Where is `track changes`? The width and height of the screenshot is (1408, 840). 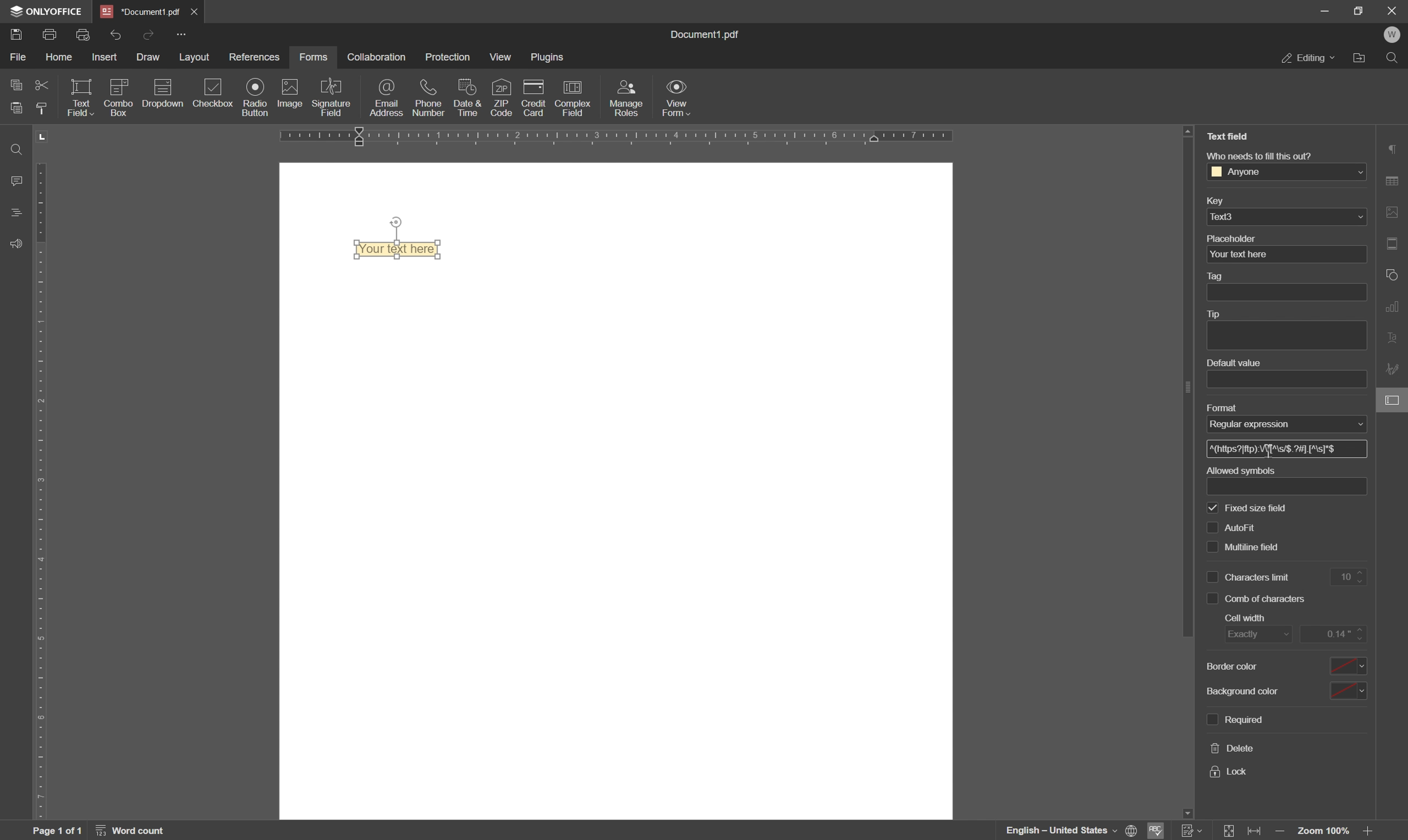 track changes is located at coordinates (1192, 831).